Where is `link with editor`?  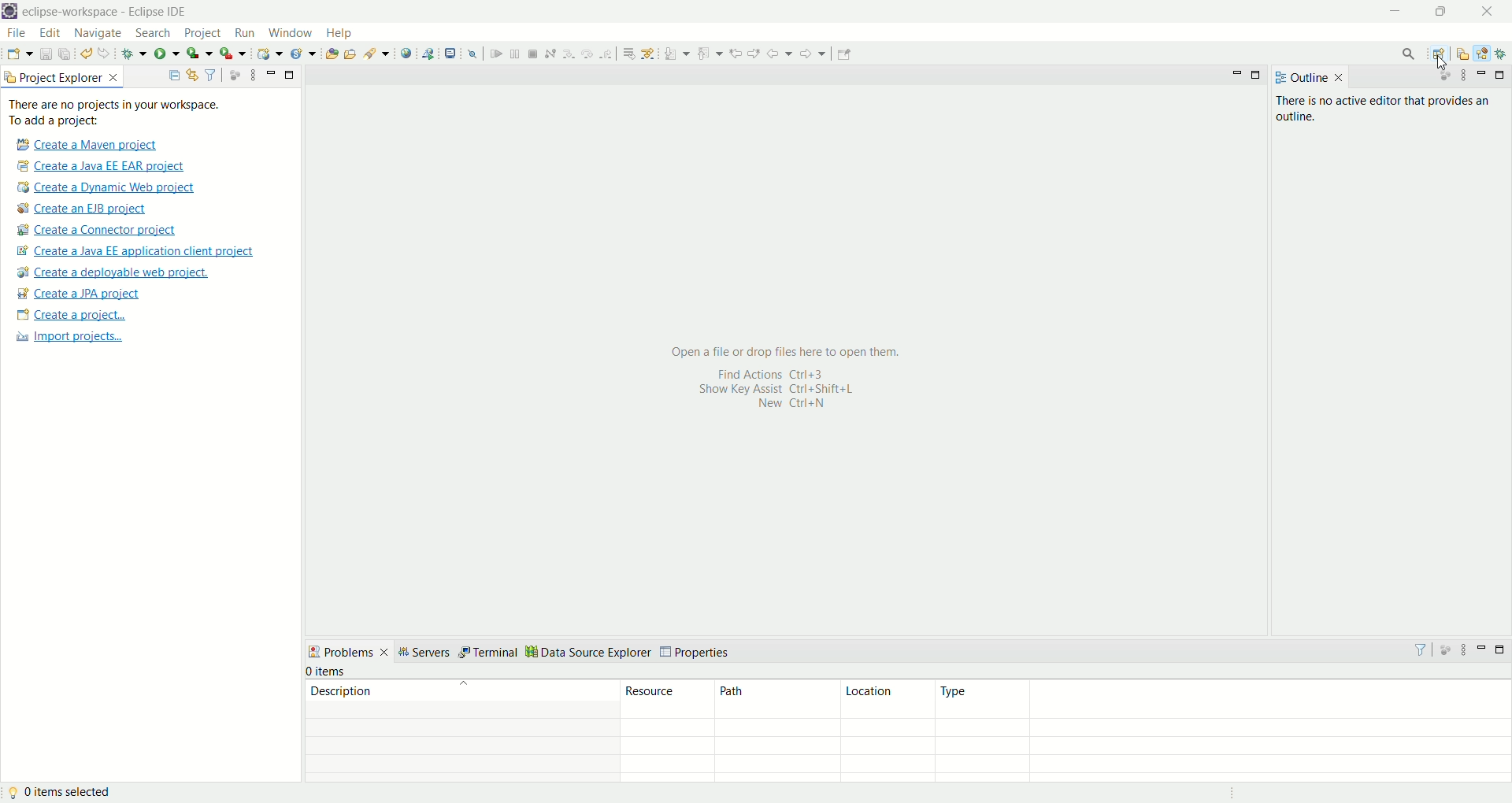 link with editor is located at coordinates (193, 74).